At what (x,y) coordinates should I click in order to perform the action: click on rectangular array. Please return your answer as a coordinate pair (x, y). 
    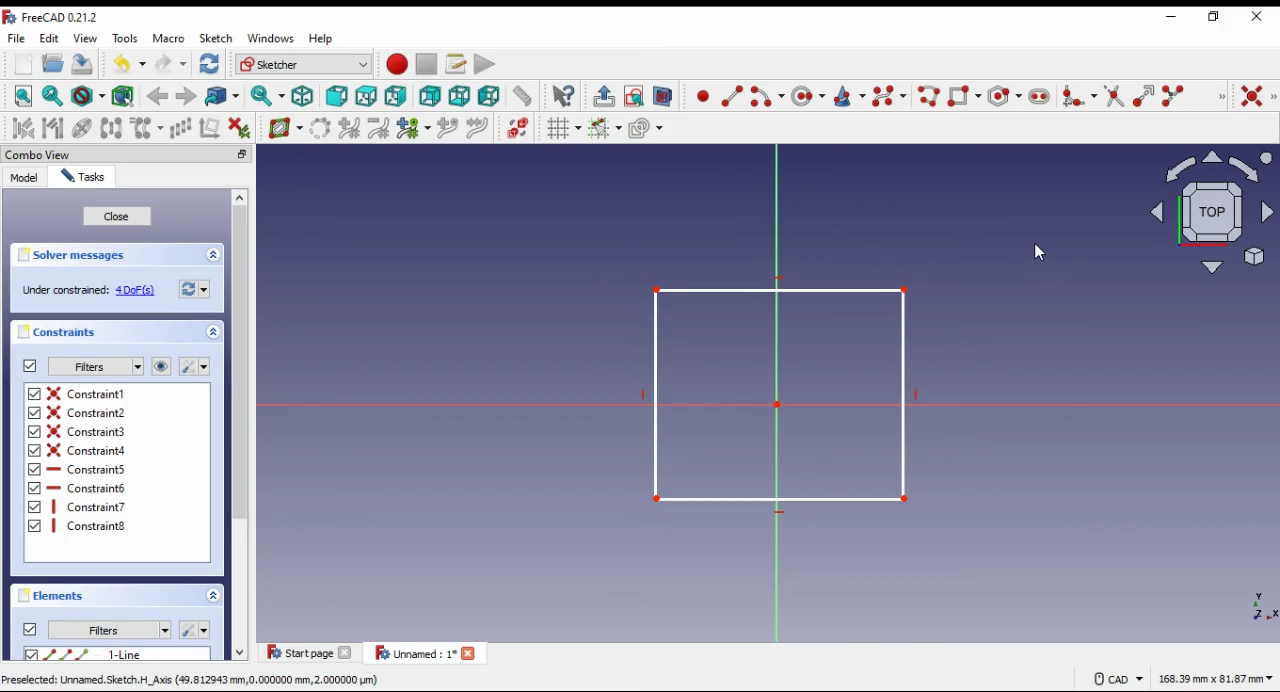
    Looking at the image, I should click on (180, 129).